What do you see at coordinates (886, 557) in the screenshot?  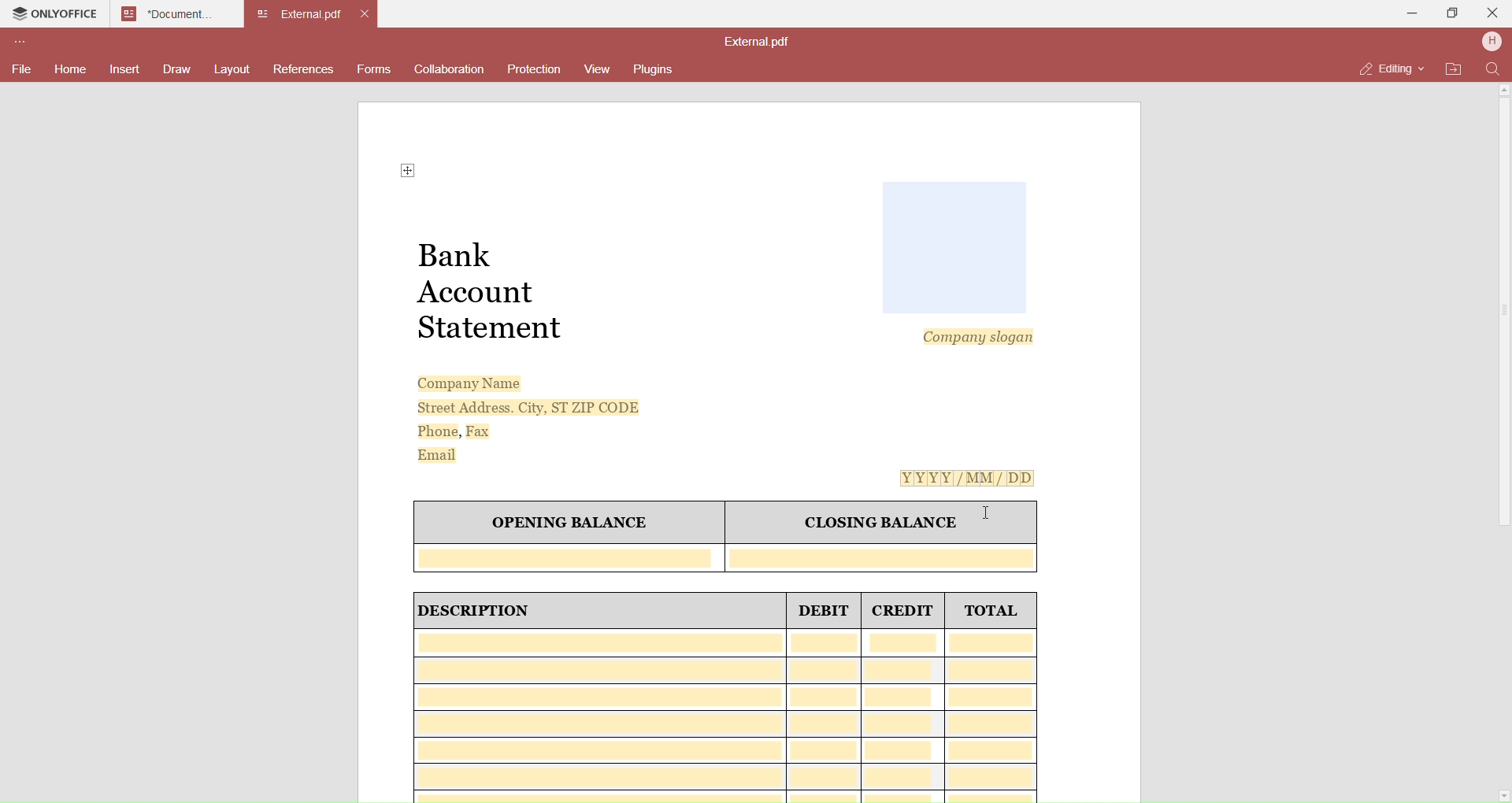 I see `closing balance cell` at bounding box center [886, 557].